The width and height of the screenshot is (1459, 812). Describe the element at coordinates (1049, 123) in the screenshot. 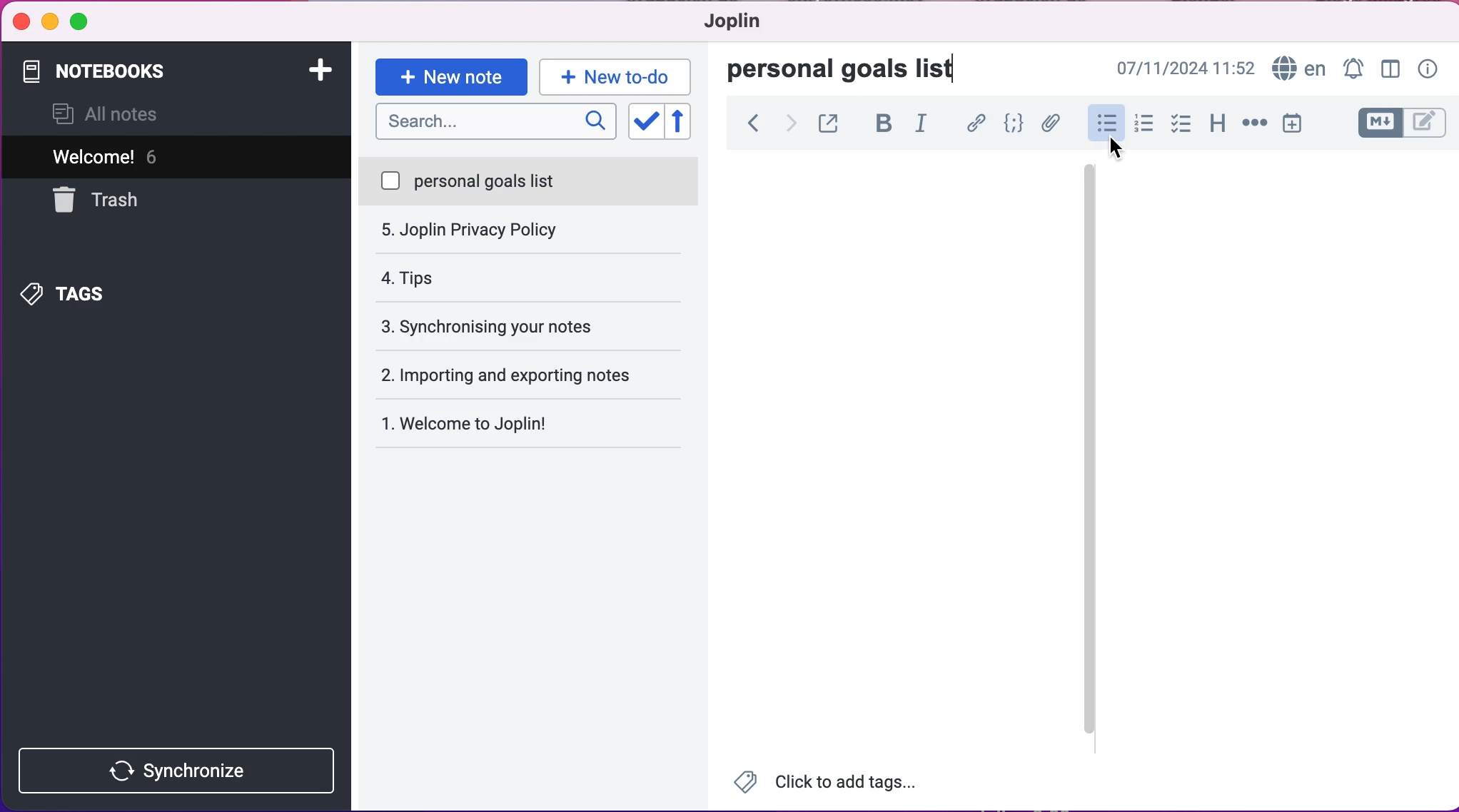

I see `attach file` at that location.